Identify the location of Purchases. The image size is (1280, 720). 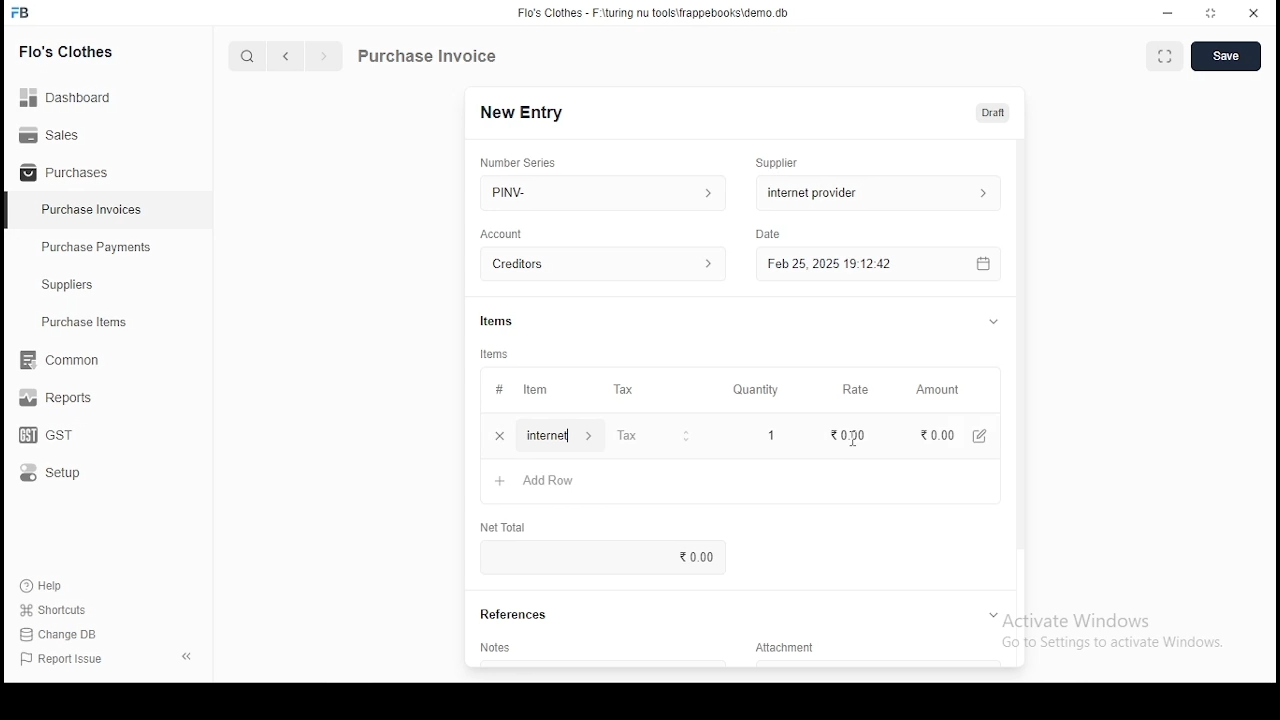
(65, 173).